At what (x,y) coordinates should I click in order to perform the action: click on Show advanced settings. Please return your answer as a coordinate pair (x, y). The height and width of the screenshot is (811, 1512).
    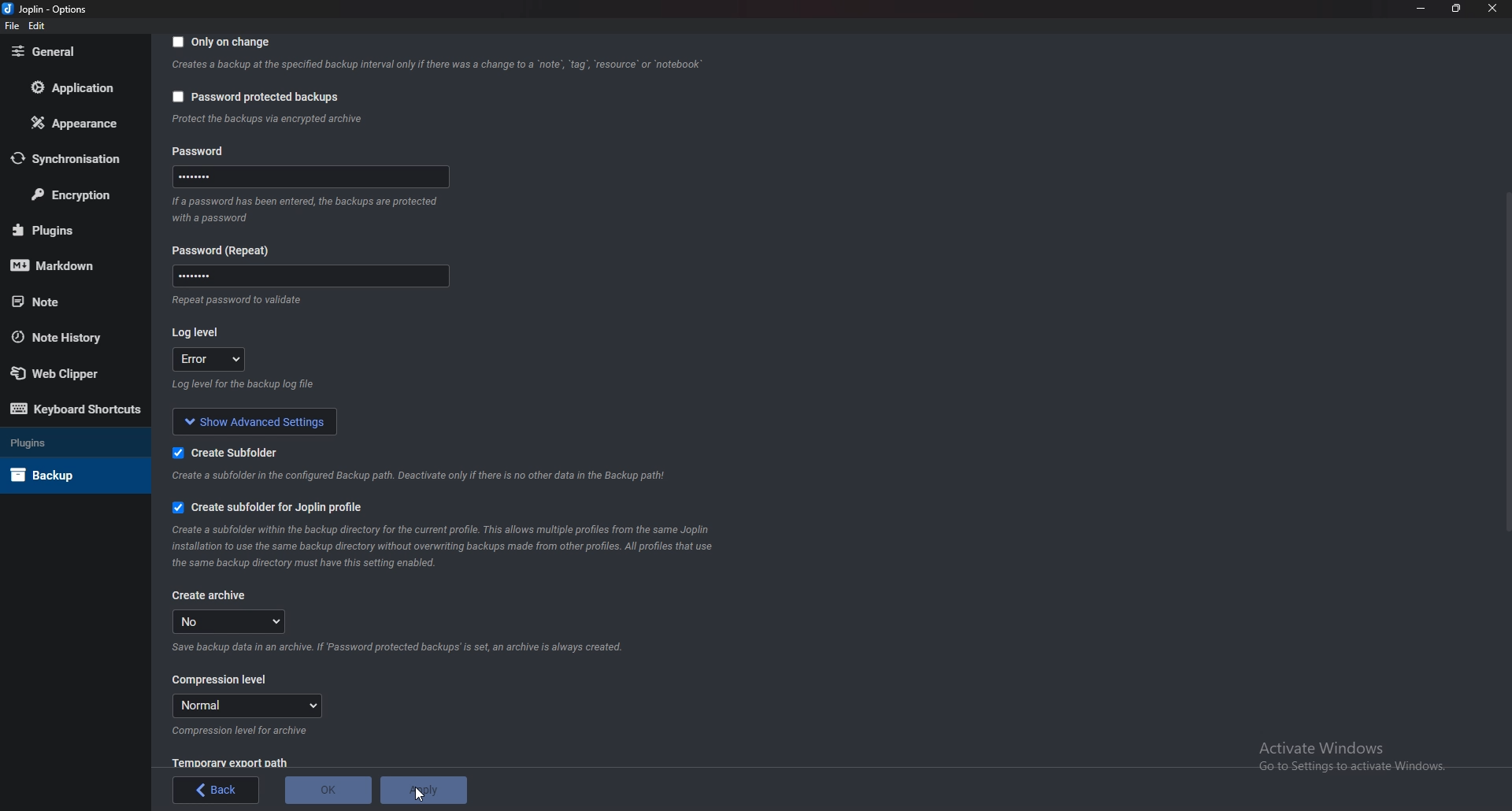
    Looking at the image, I should click on (257, 420).